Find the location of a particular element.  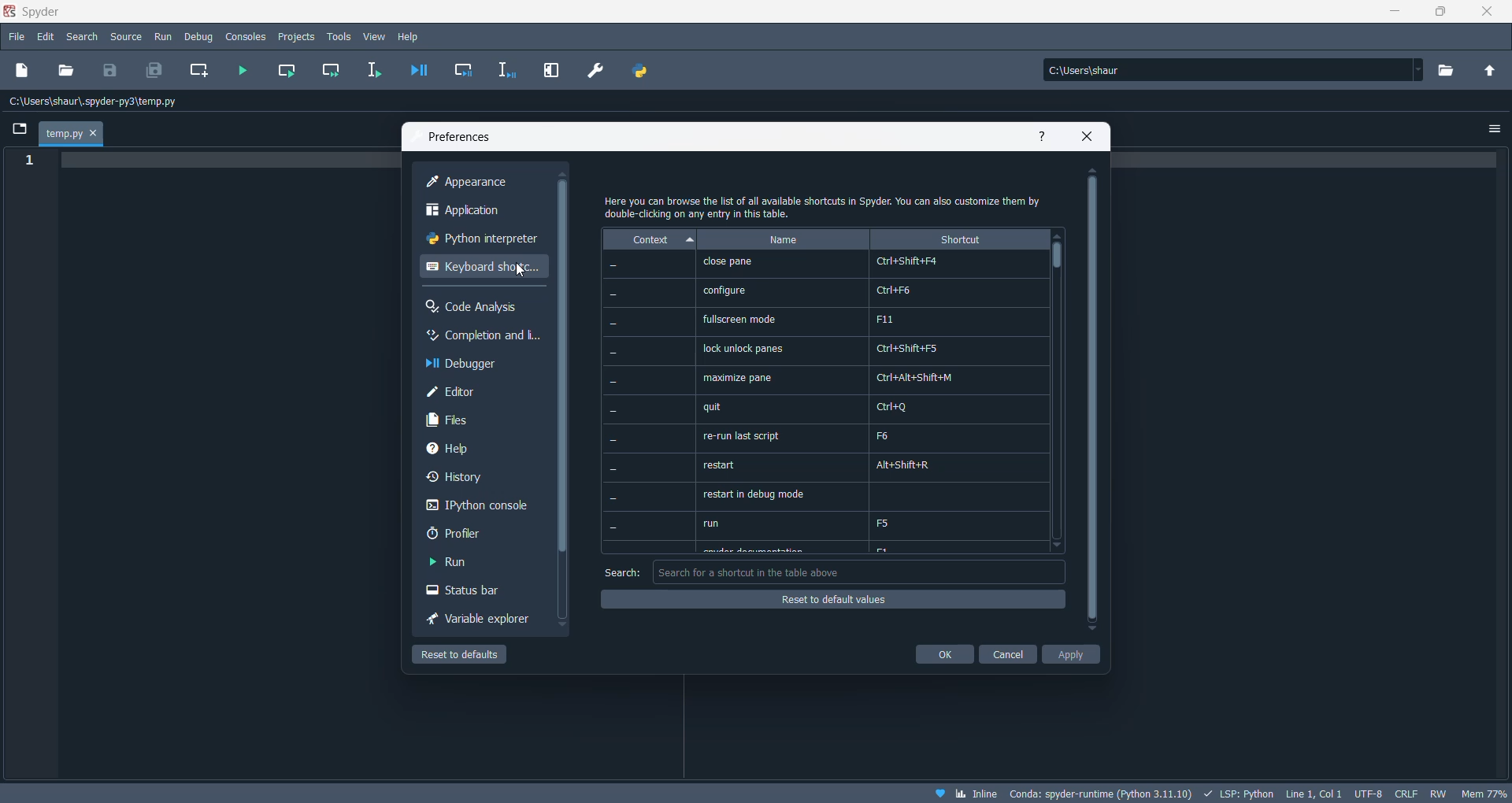

tools is located at coordinates (339, 37).